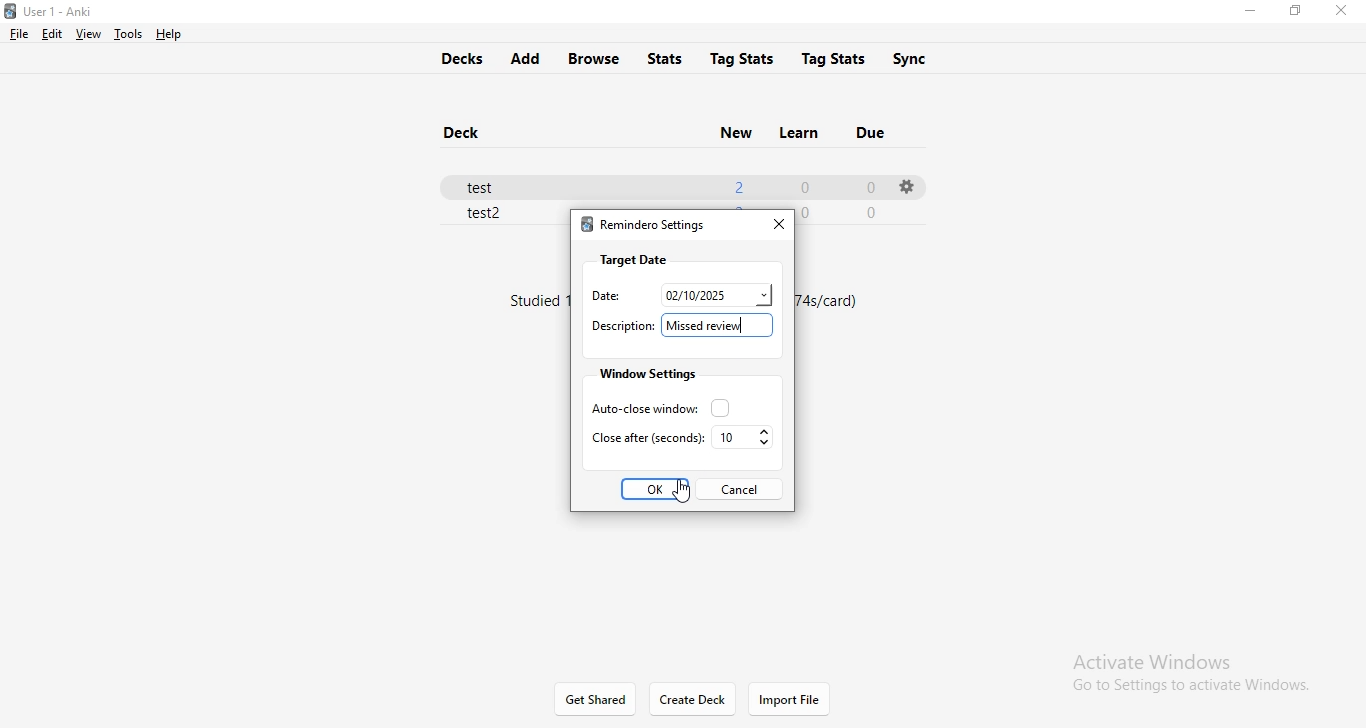 This screenshot has width=1366, height=728. Describe the element at coordinates (734, 131) in the screenshot. I see `new` at that location.